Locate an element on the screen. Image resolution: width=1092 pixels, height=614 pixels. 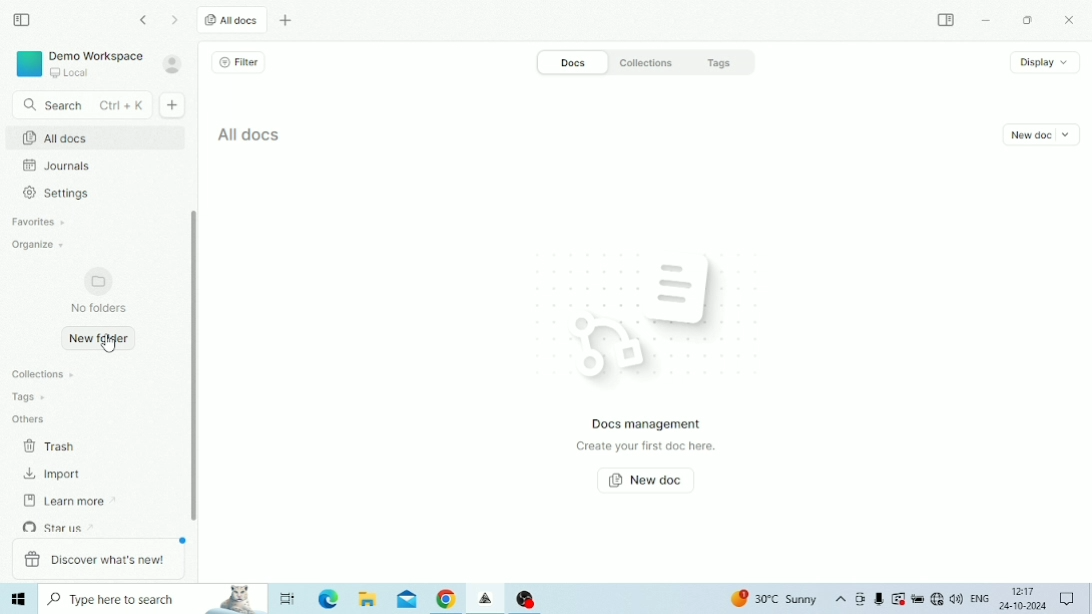
Type here to search is located at coordinates (154, 599).